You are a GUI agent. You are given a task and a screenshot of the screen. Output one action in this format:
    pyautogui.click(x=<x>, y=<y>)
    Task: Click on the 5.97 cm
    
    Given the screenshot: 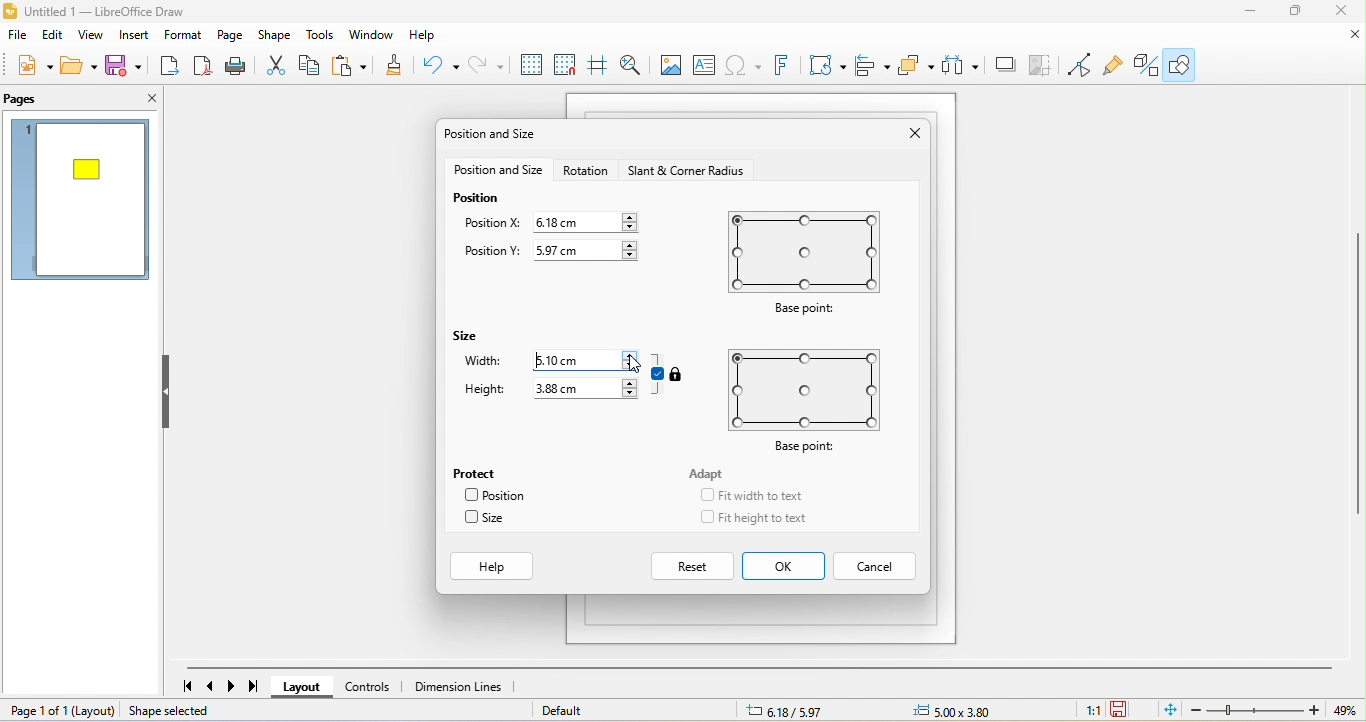 What is the action you would take?
    pyautogui.click(x=588, y=251)
    